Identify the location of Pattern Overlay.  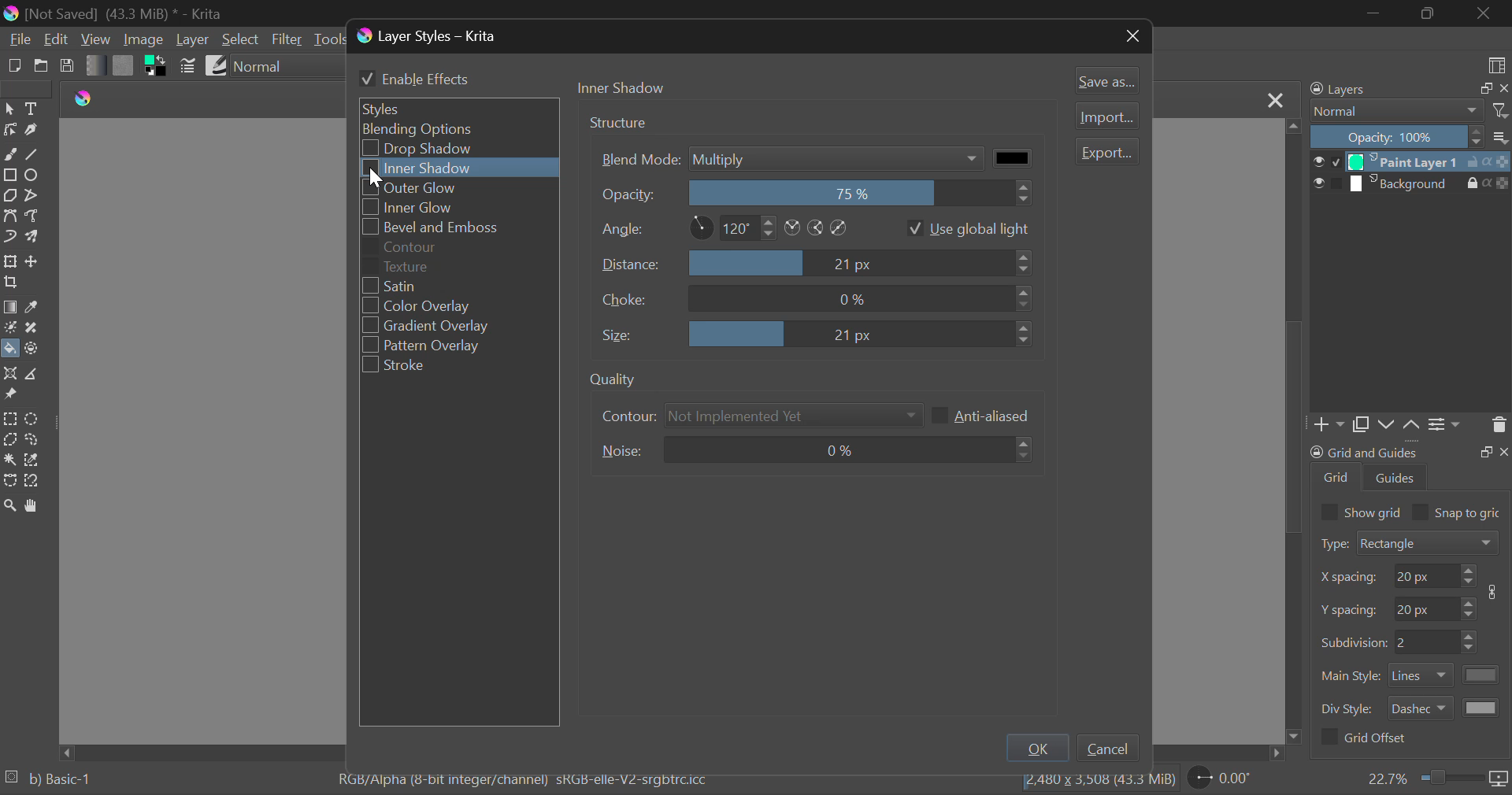
(441, 347).